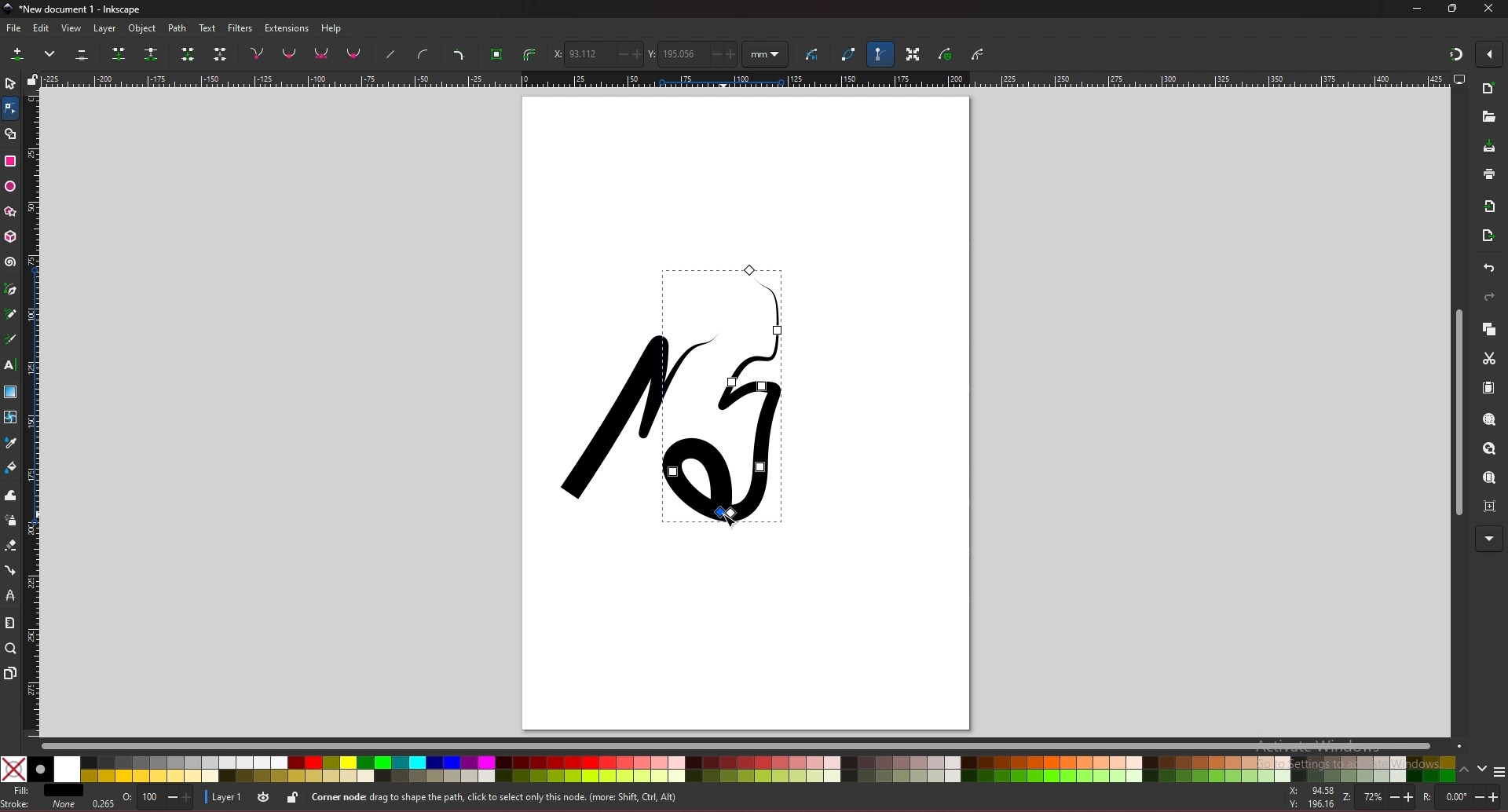 The image size is (1508, 812). What do you see at coordinates (321, 53) in the screenshot?
I see `symmetric node` at bounding box center [321, 53].